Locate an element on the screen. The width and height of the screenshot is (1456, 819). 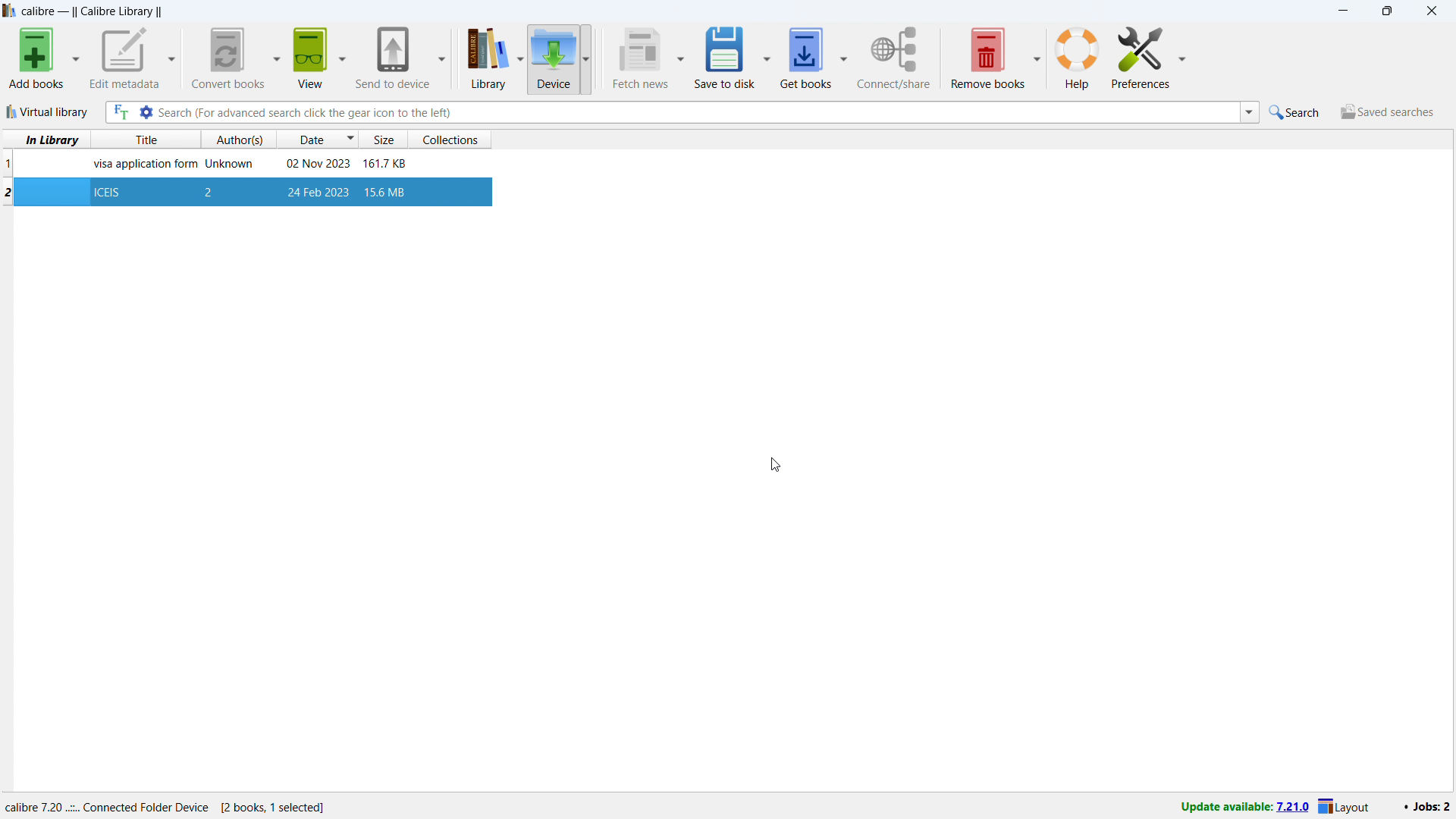
edit metadata is located at coordinates (124, 58).